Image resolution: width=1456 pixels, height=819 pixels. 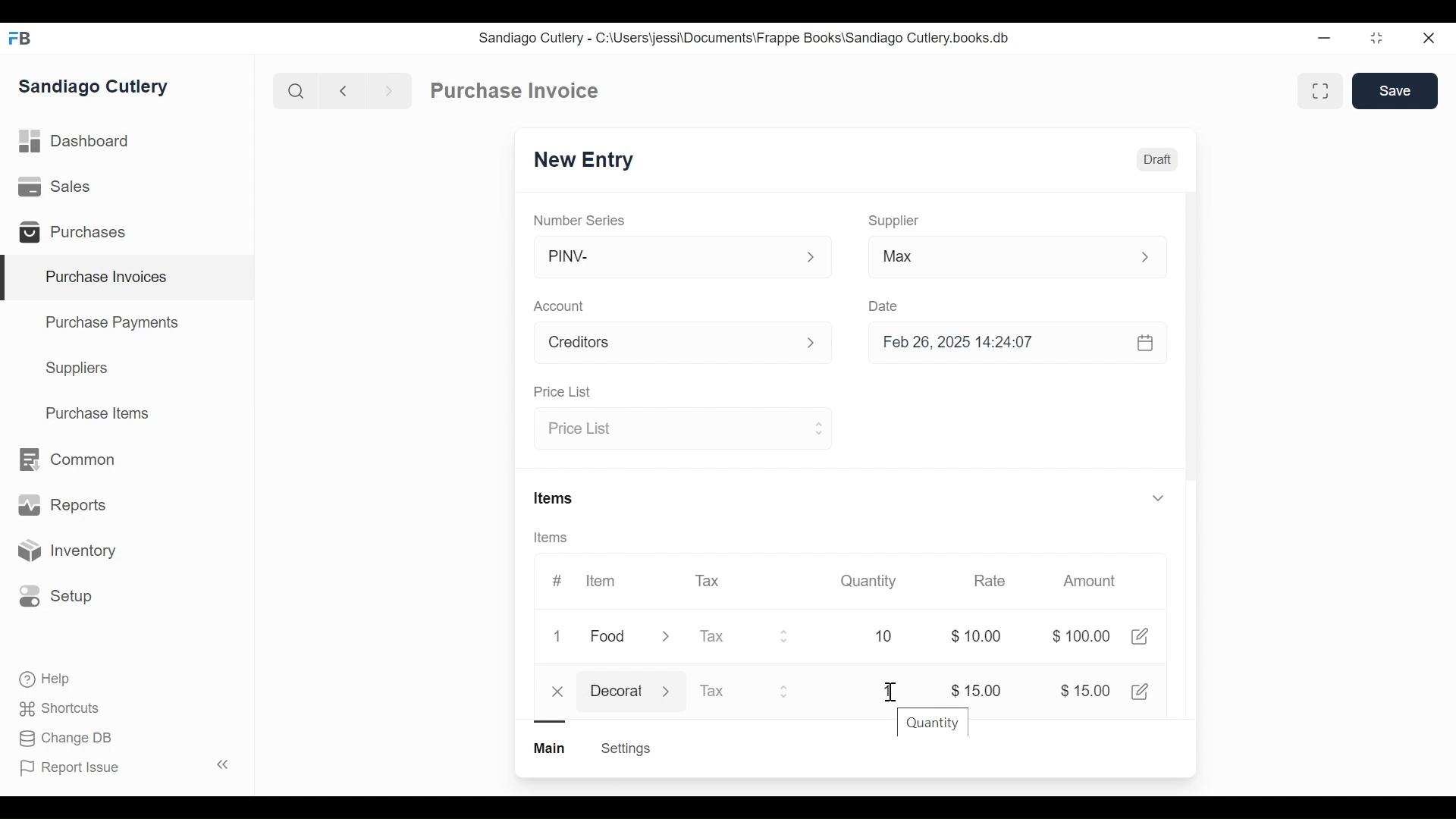 I want to click on Items, so click(x=555, y=500).